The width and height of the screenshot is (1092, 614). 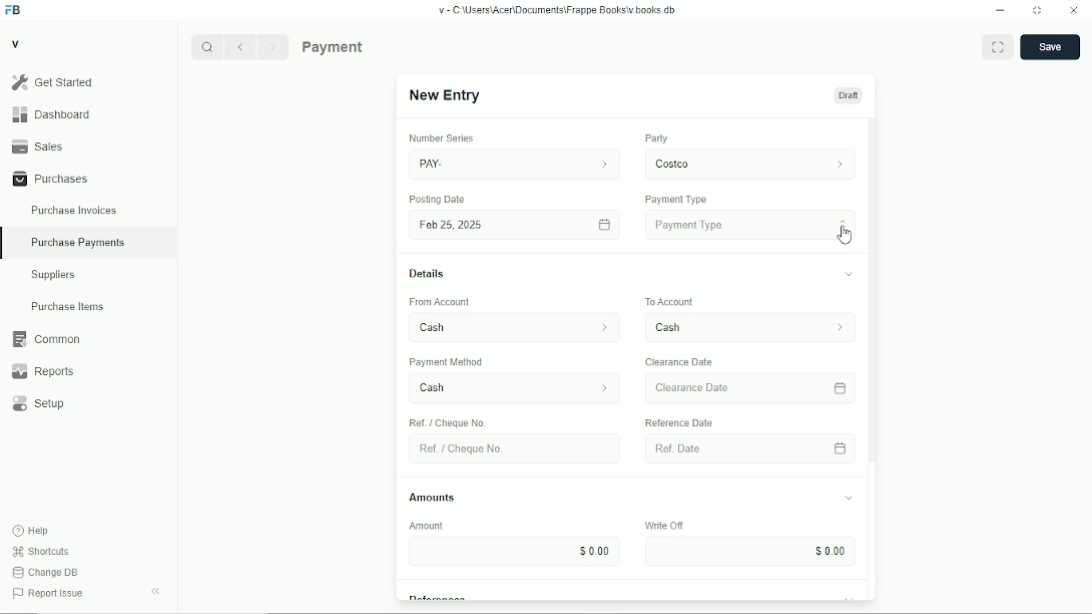 What do you see at coordinates (240, 47) in the screenshot?
I see `Previous` at bounding box center [240, 47].